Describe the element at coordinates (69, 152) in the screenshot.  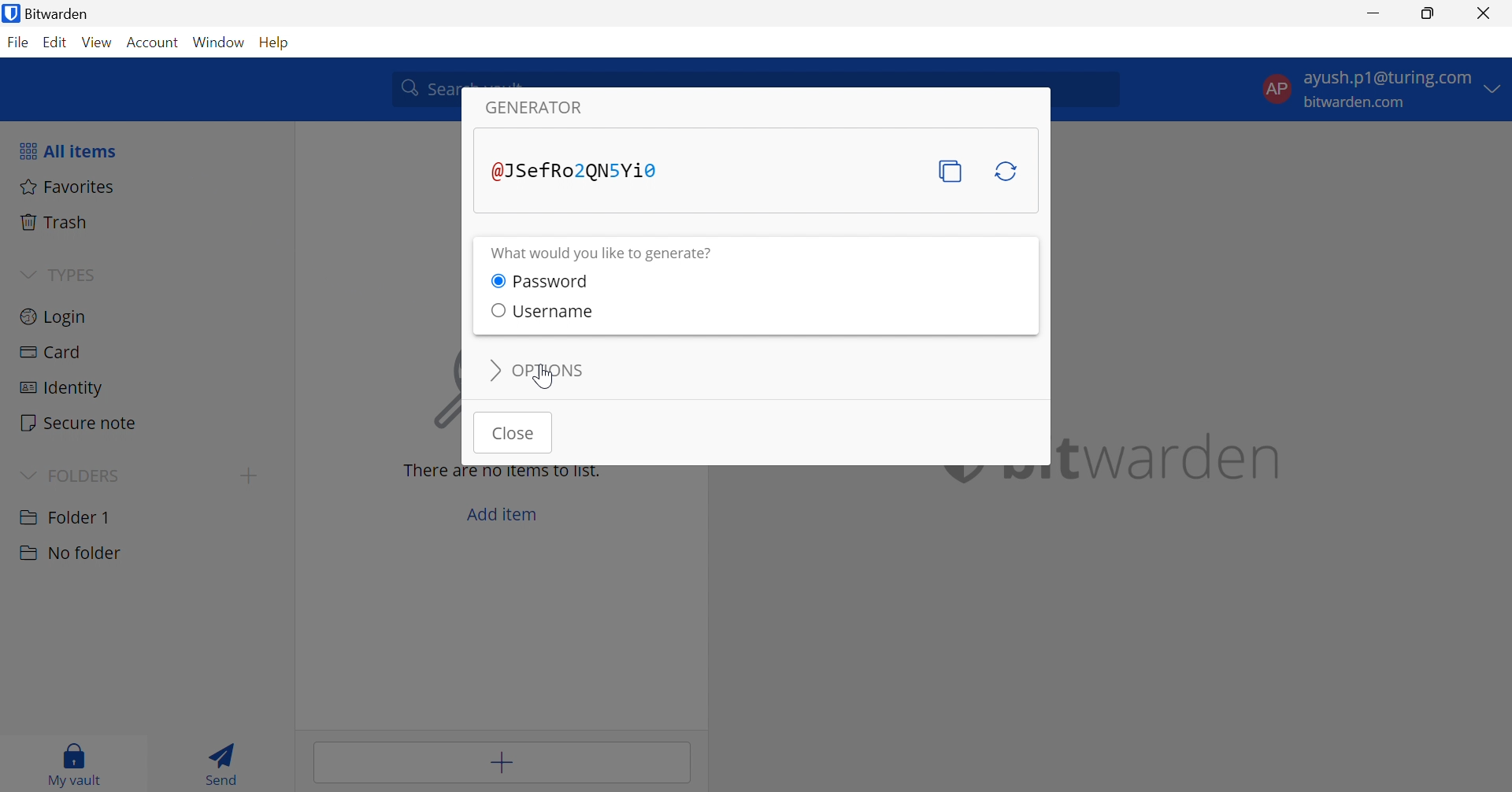
I see `All items` at that location.